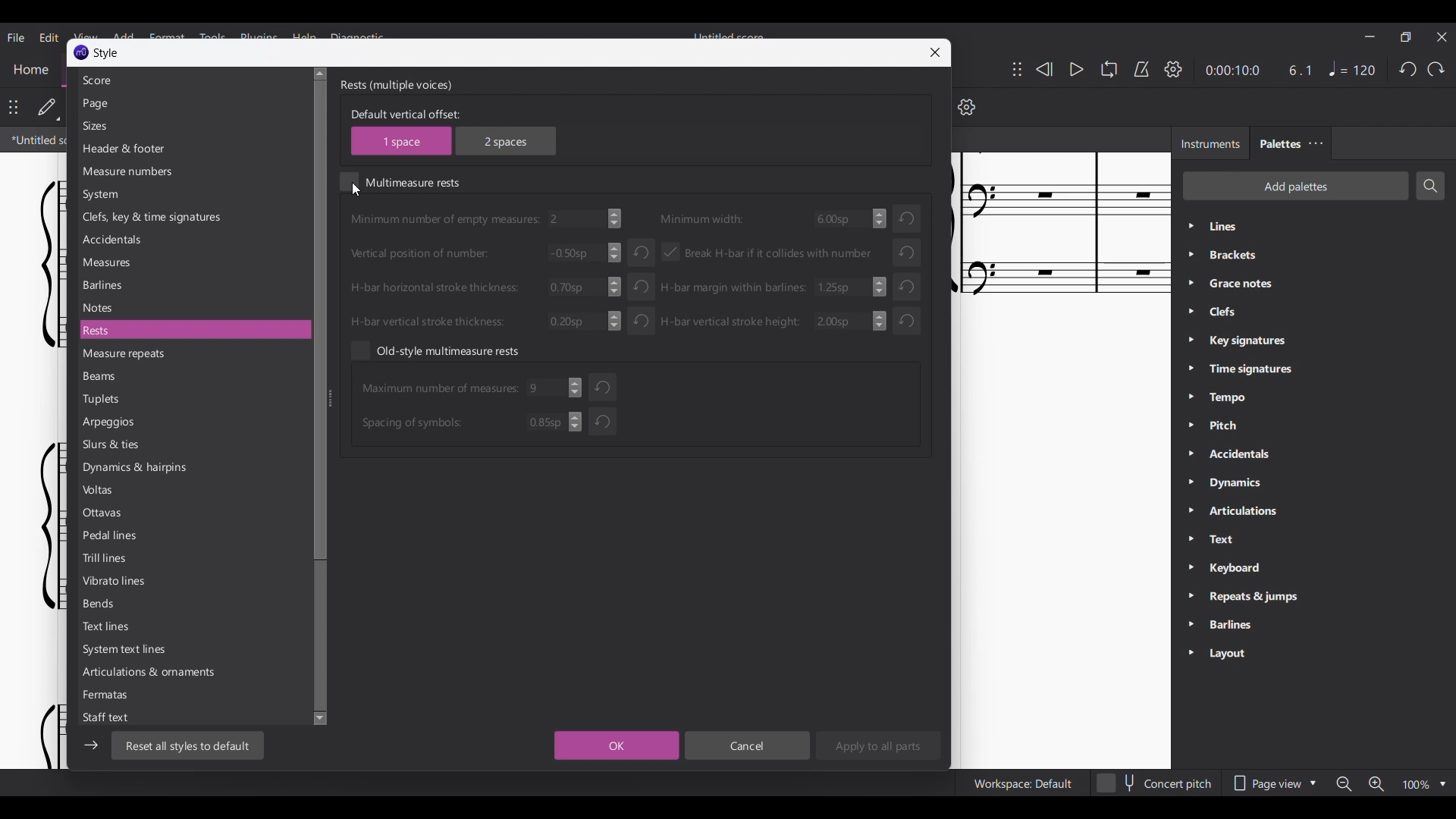 The width and height of the screenshot is (1456, 819). I want to click on Close interface, so click(1442, 37).